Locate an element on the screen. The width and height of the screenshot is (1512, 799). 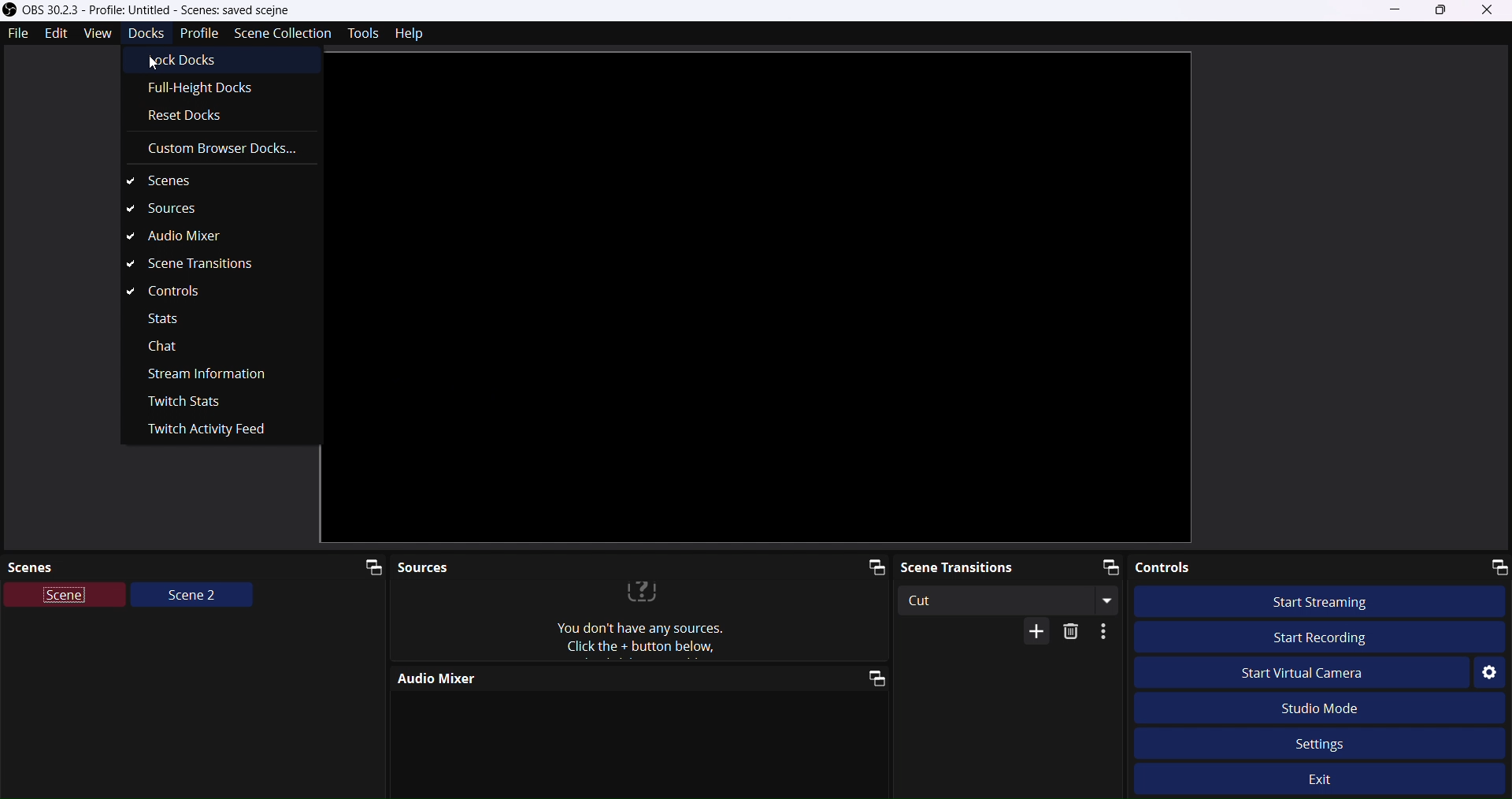
Scene2 is located at coordinates (192, 598).